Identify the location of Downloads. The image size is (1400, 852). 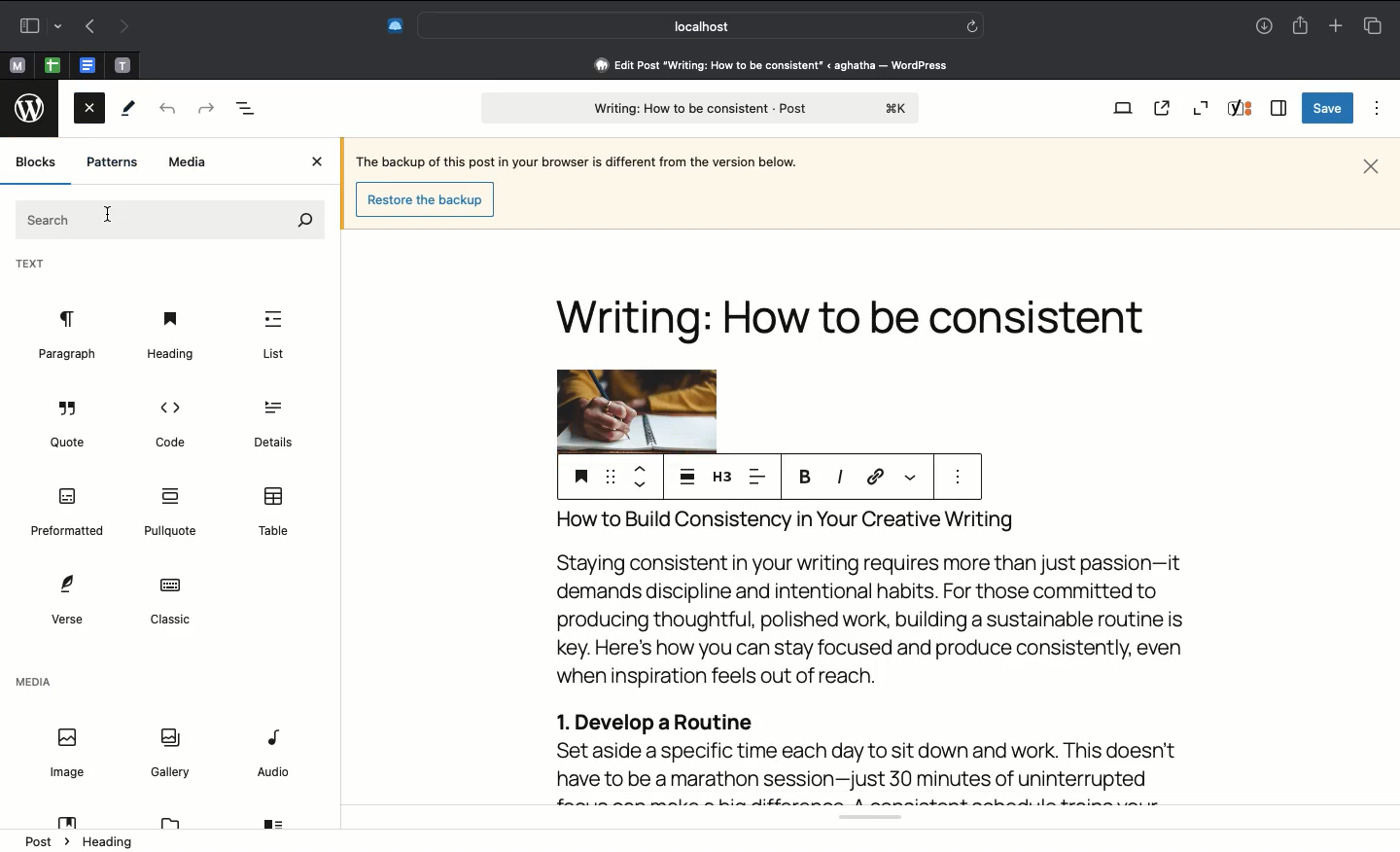
(1266, 25).